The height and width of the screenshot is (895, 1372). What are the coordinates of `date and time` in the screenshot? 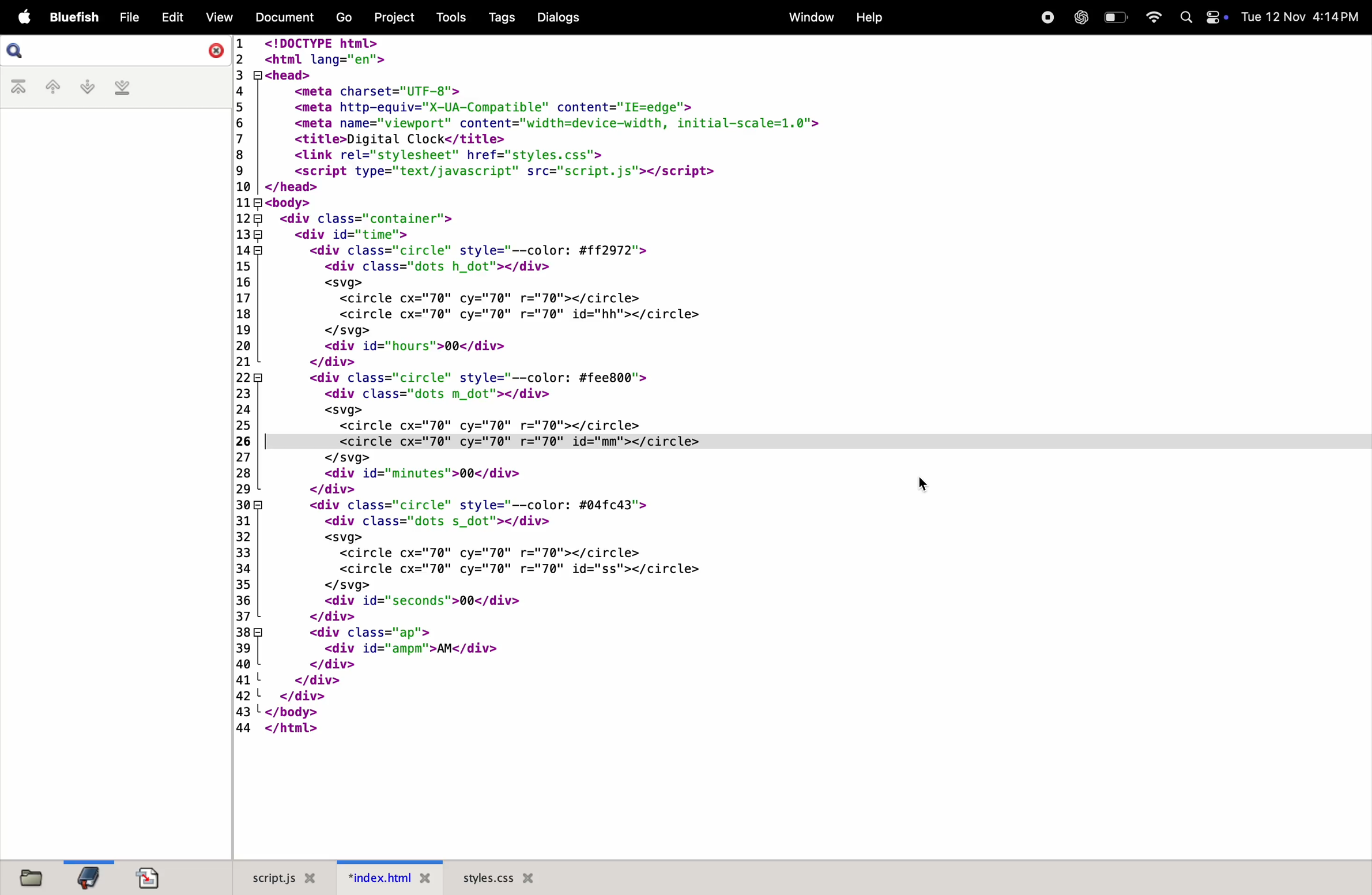 It's located at (1304, 17).